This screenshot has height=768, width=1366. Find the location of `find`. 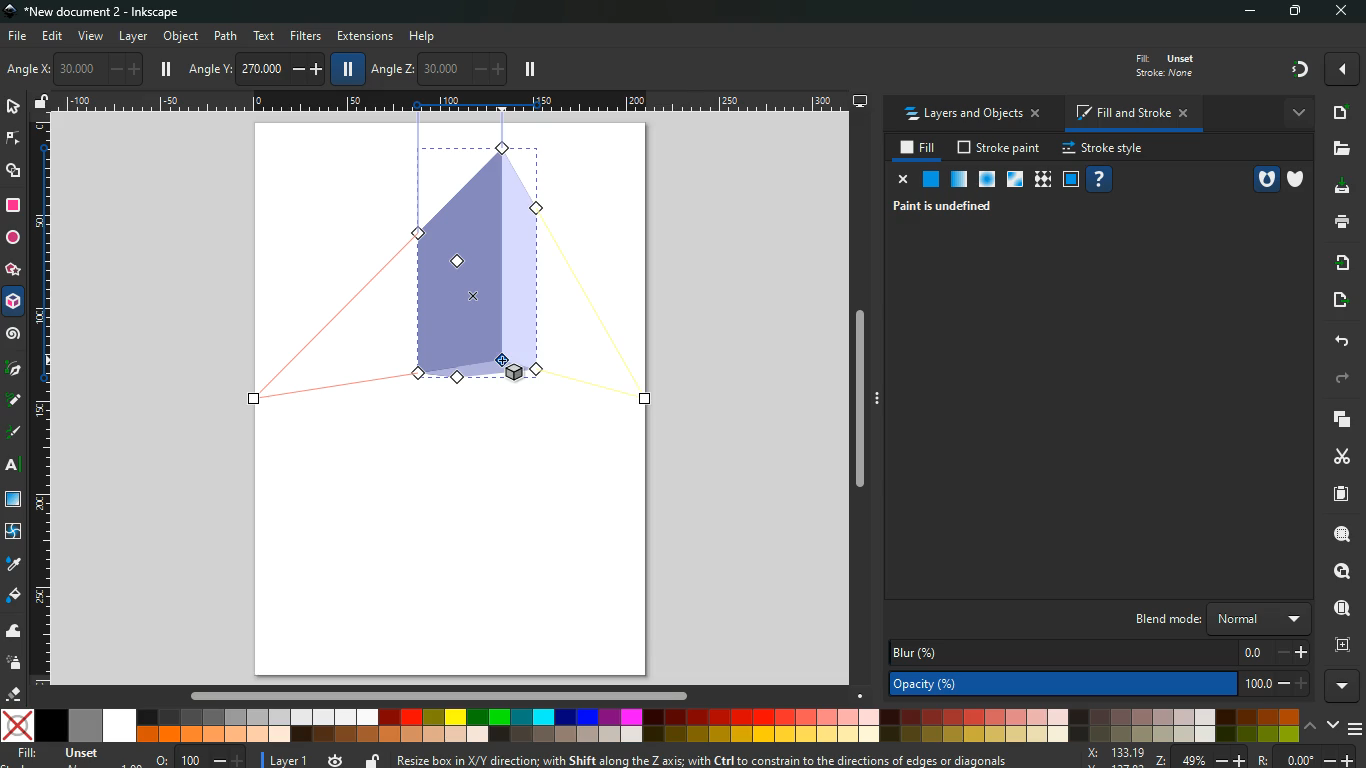

find is located at coordinates (1340, 609).